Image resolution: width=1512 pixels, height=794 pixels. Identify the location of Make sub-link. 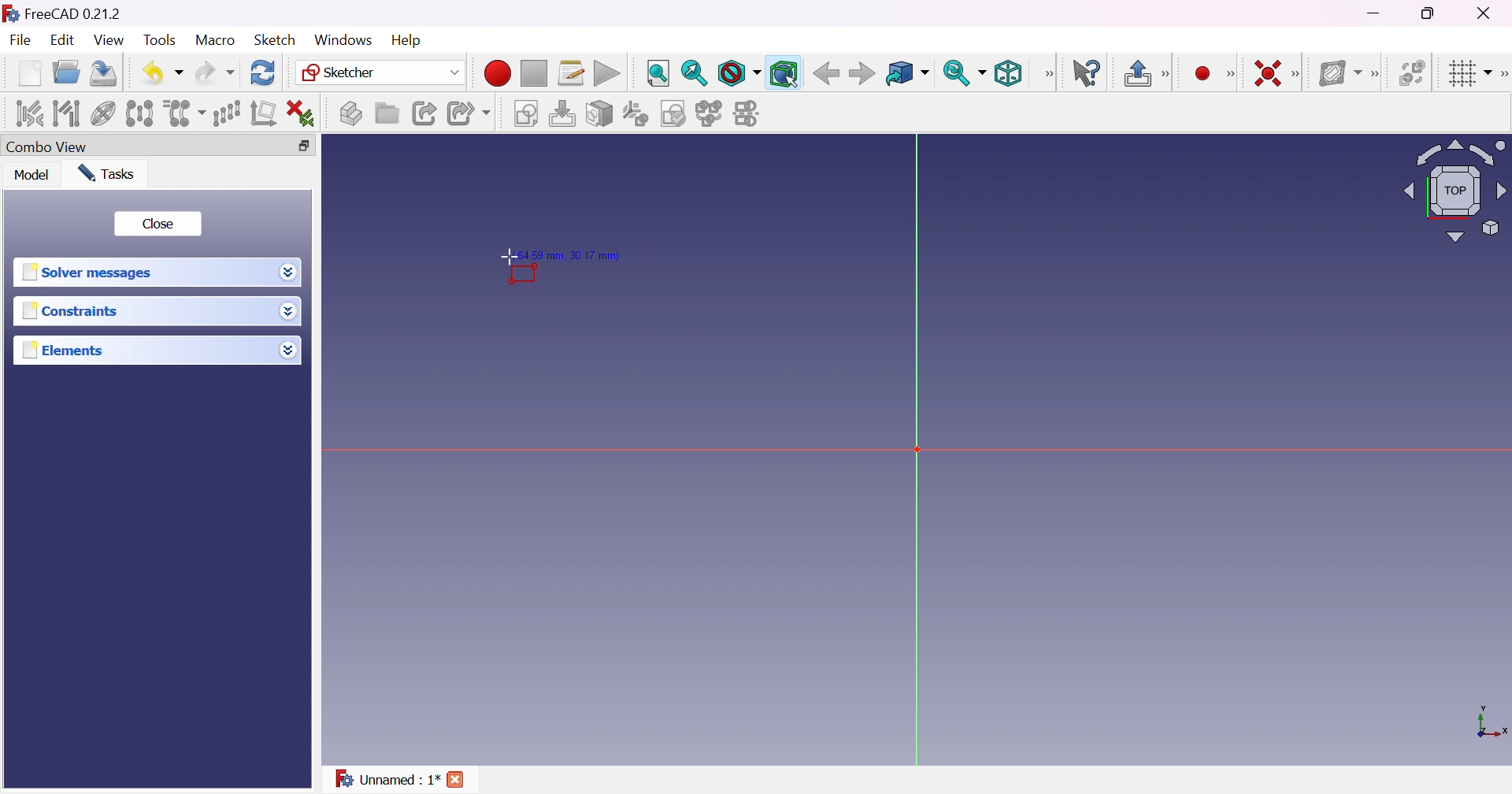
(469, 113).